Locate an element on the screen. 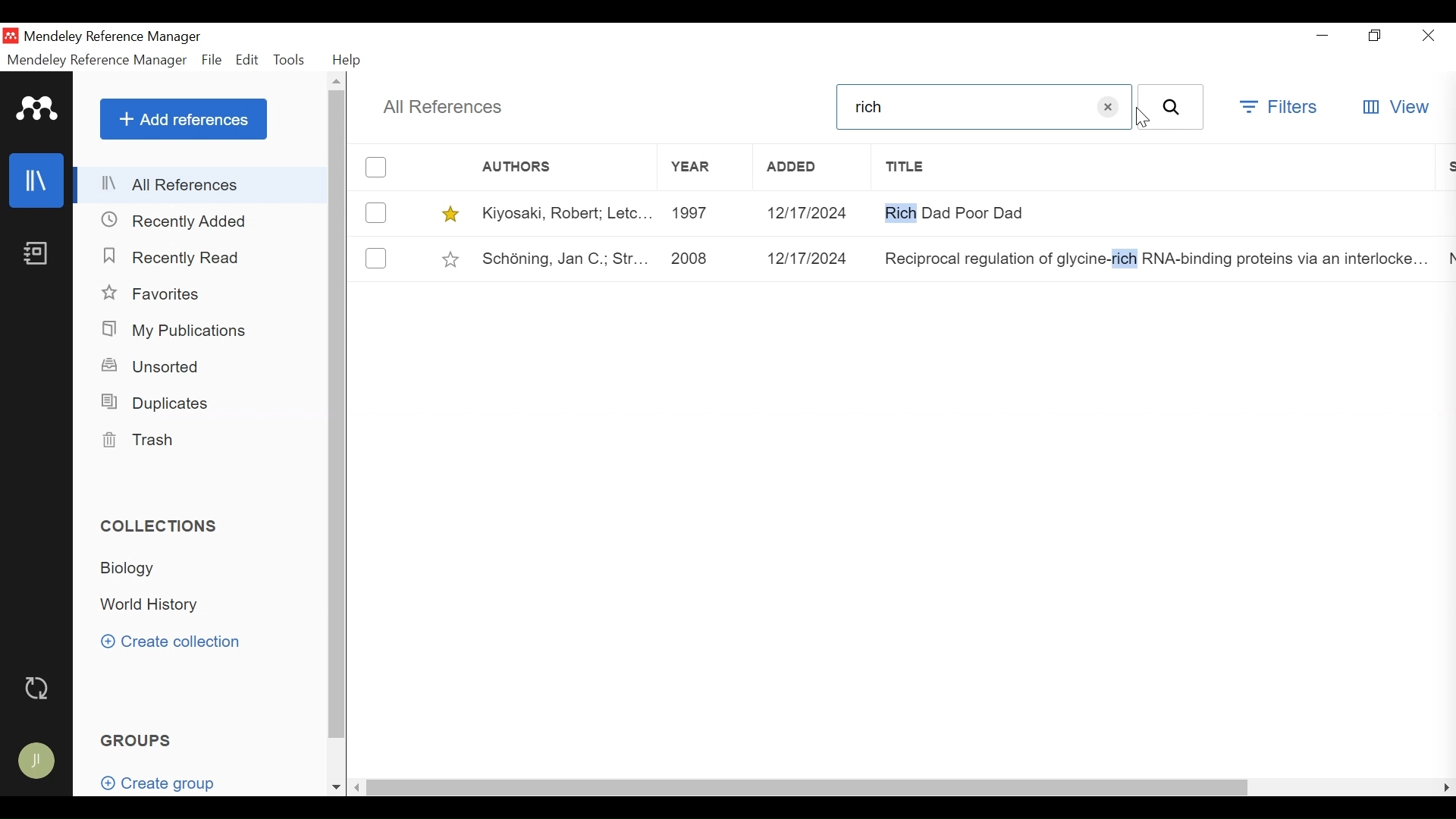 The height and width of the screenshot is (819, 1456). File is located at coordinates (210, 60).